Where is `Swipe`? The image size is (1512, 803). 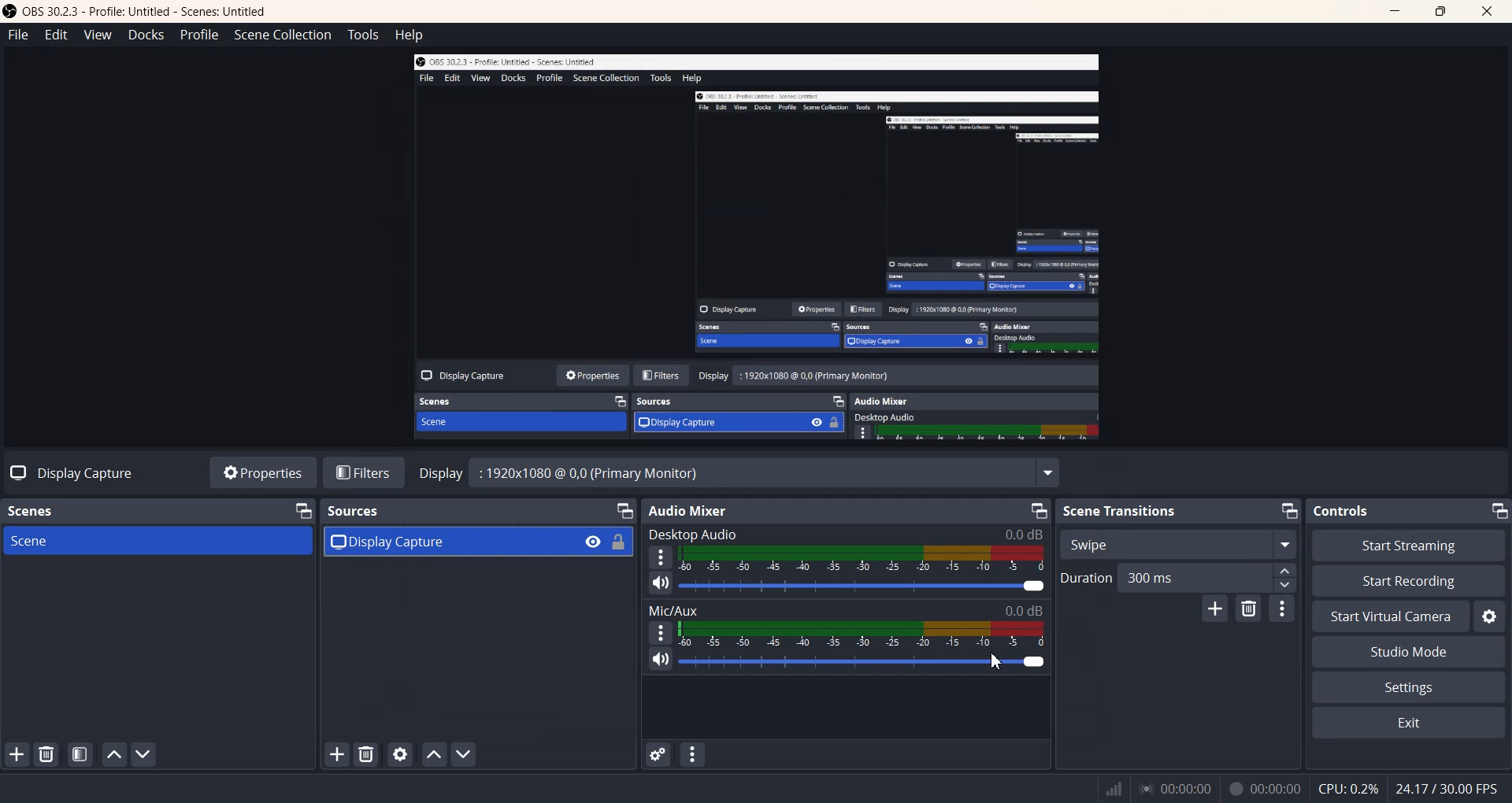 Swipe is located at coordinates (1179, 543).